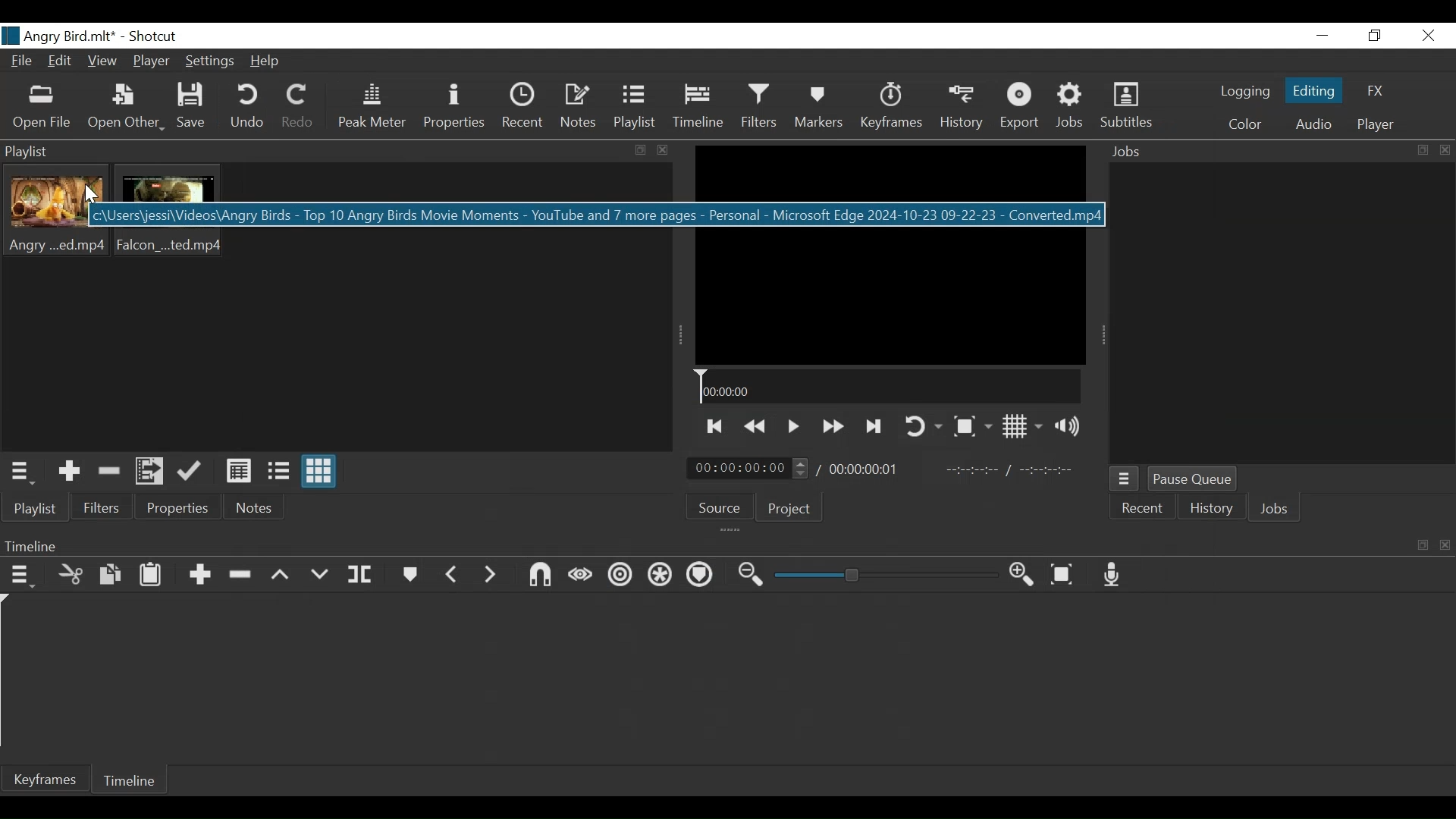  What do you see at coordinates (1114, 576) in the screenshot?
I see `Record audio track` at bounding box center [1114, 576].